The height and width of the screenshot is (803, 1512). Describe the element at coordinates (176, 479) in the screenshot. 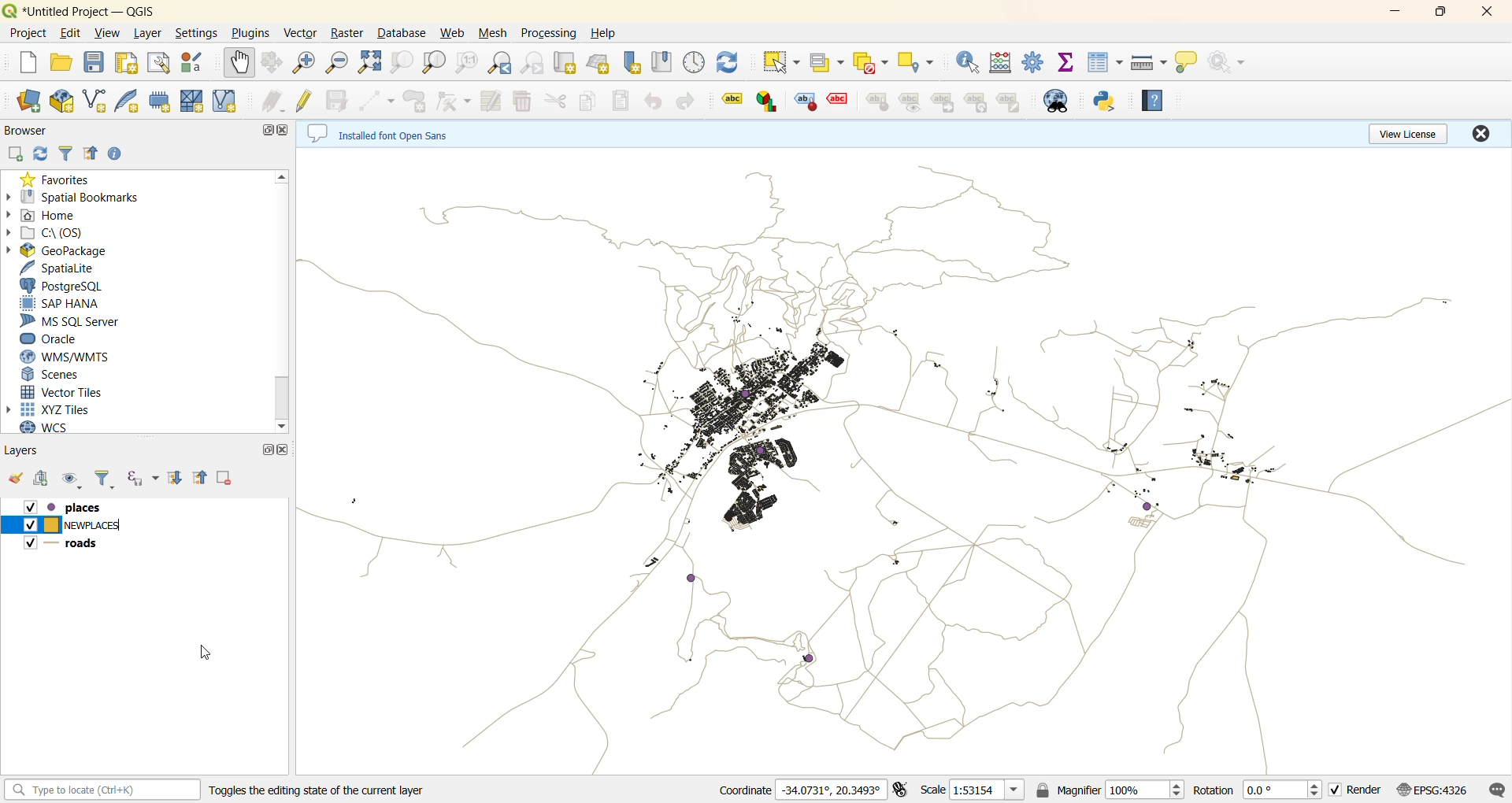

I see `expand all` at that location.